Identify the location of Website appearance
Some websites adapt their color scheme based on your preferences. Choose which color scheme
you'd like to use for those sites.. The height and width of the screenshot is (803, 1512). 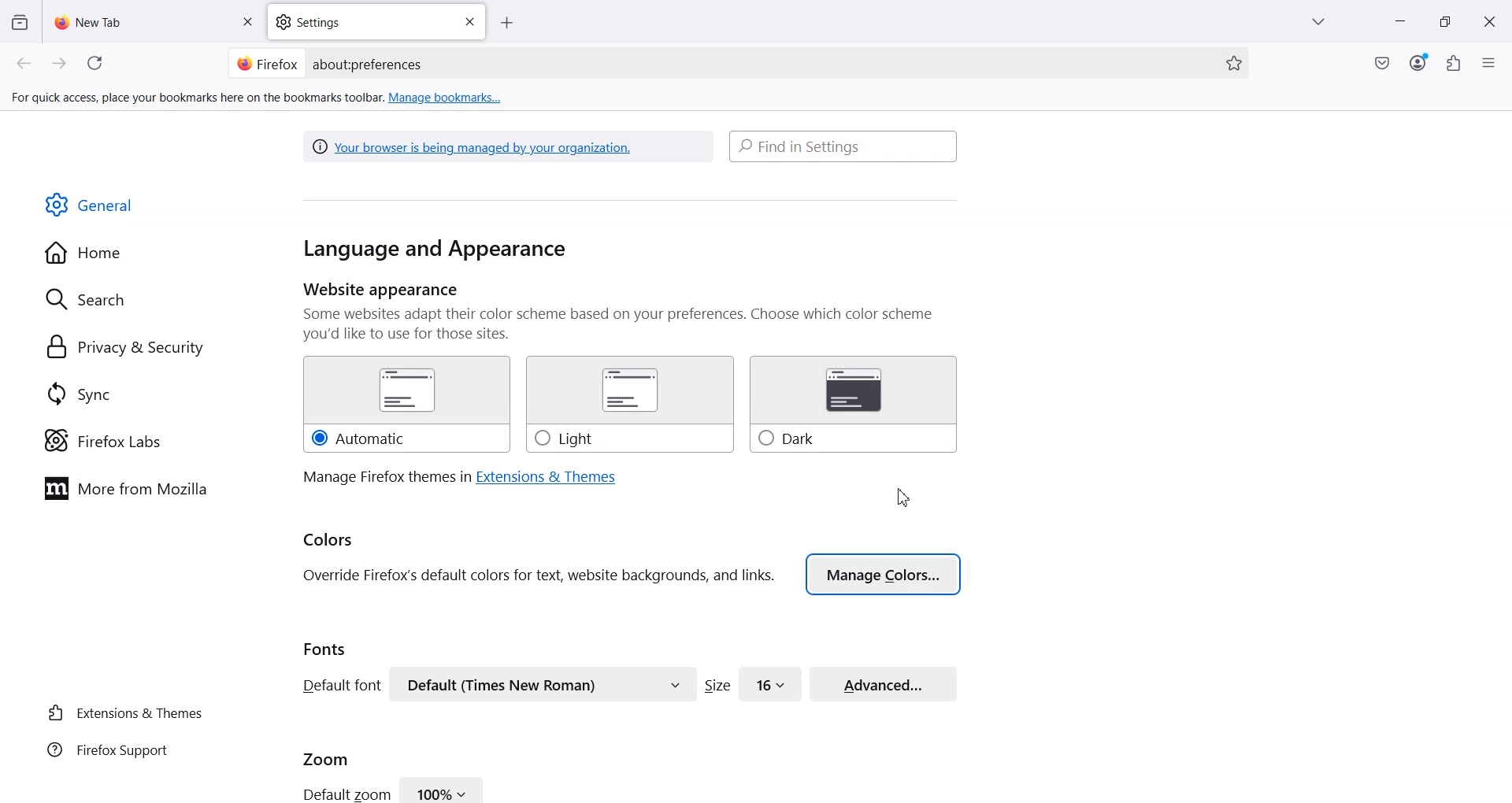
(631, 312).